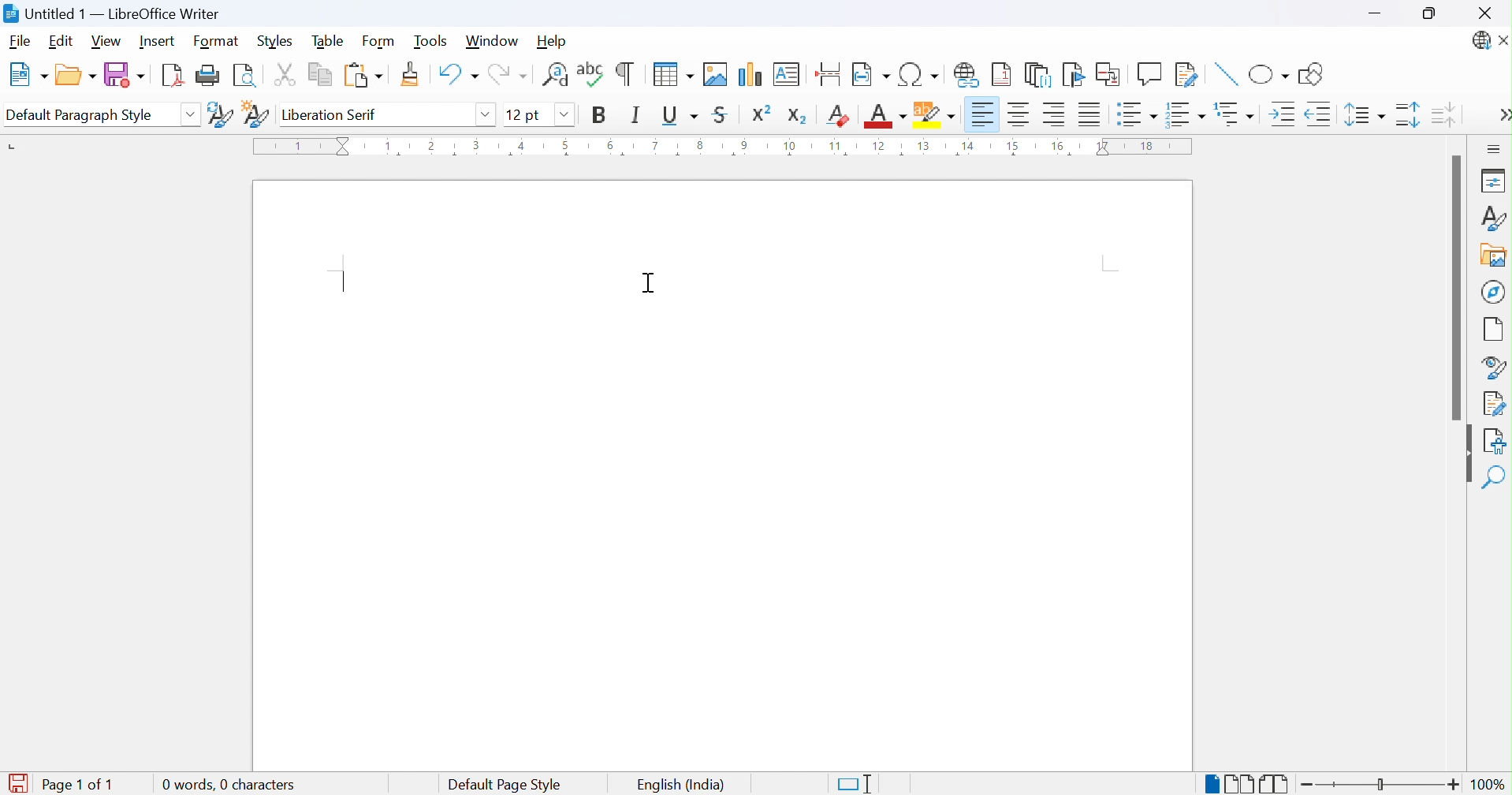 The height and width of the screenshot is (795, 1512). What do you see at coordinates (412, 73) in the screenshot?
I see `Clone formatting` at bounding box center [412, 73].